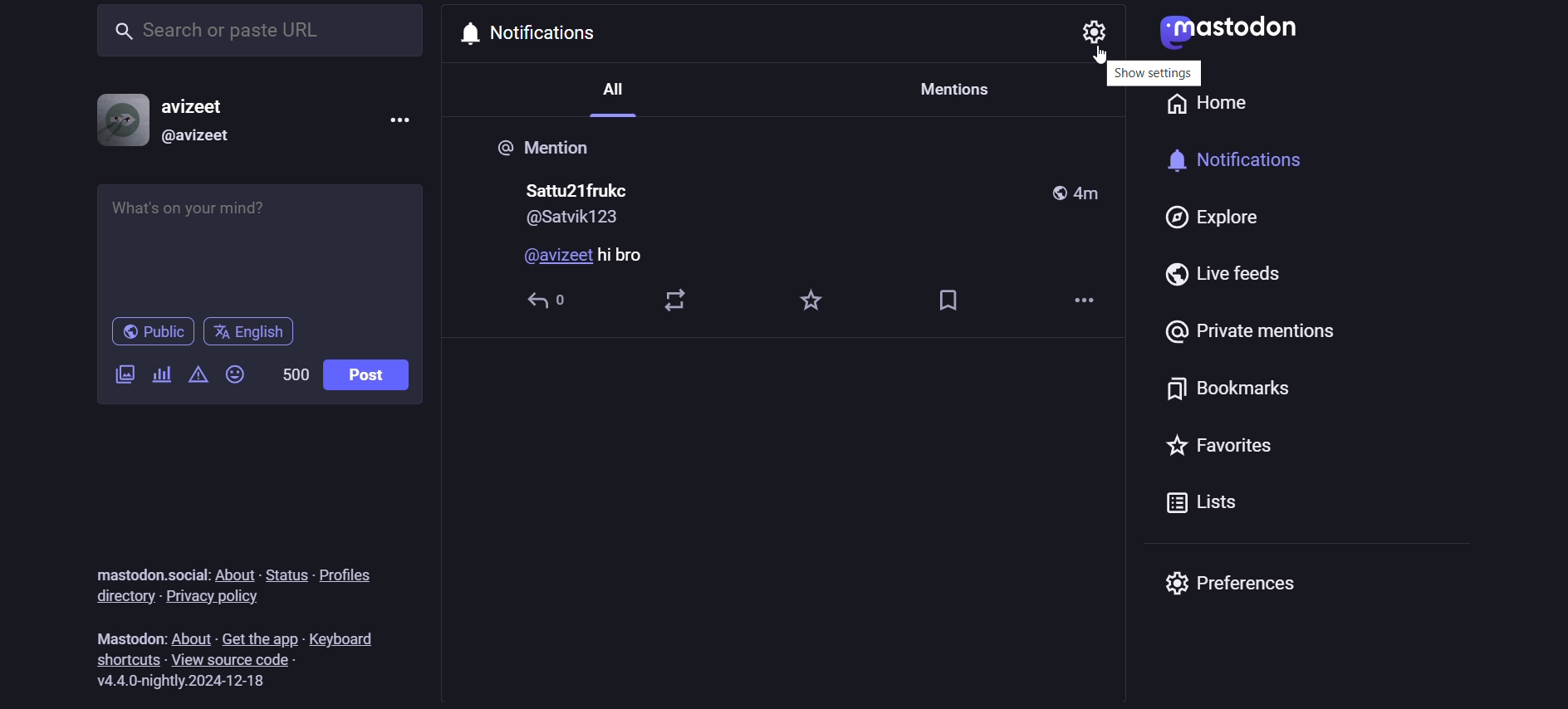 The height and width of the screenshot is (709, 1568). I want to click on 4m, so click(1094, 193).